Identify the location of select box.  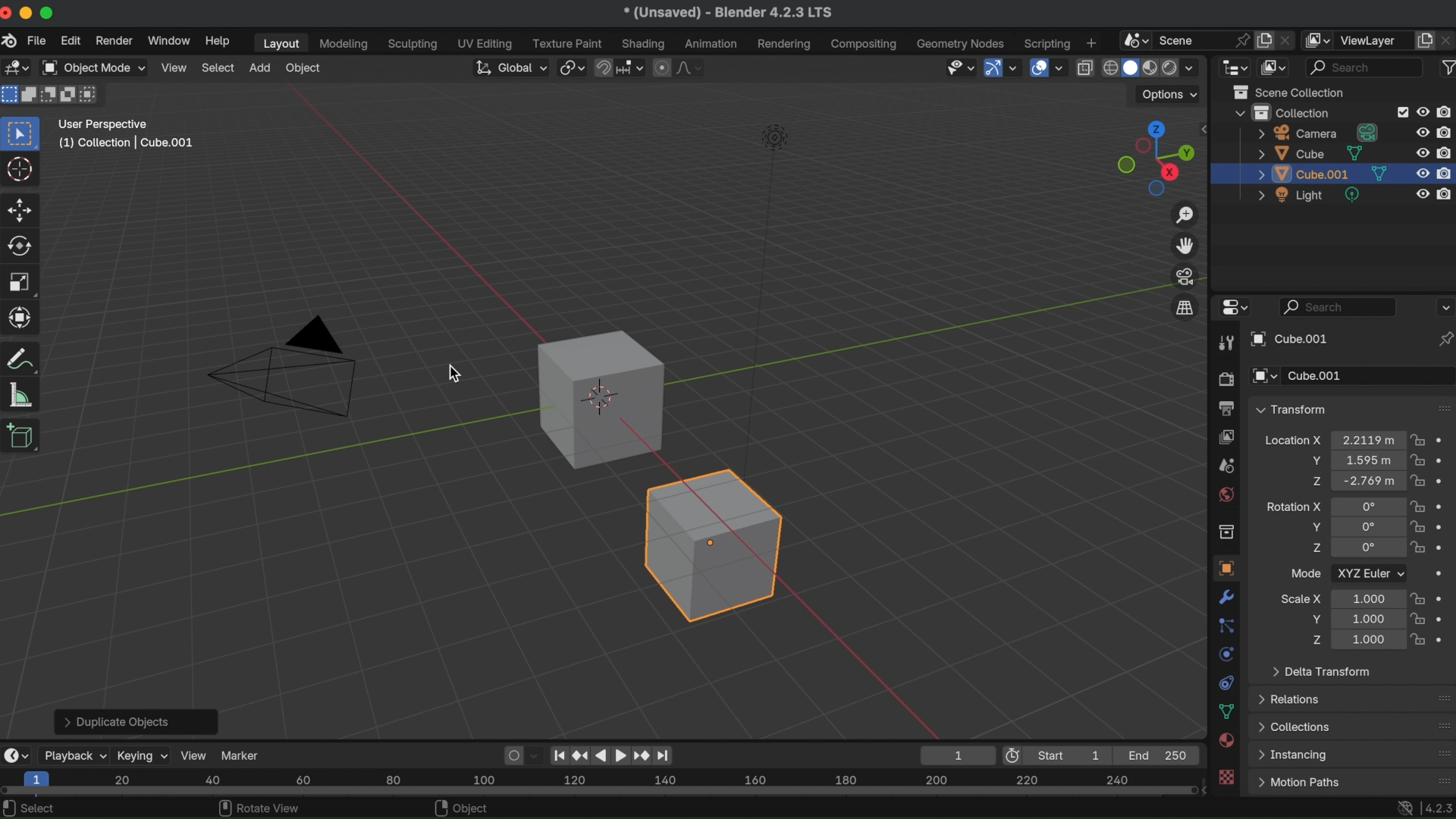
(23, 133).